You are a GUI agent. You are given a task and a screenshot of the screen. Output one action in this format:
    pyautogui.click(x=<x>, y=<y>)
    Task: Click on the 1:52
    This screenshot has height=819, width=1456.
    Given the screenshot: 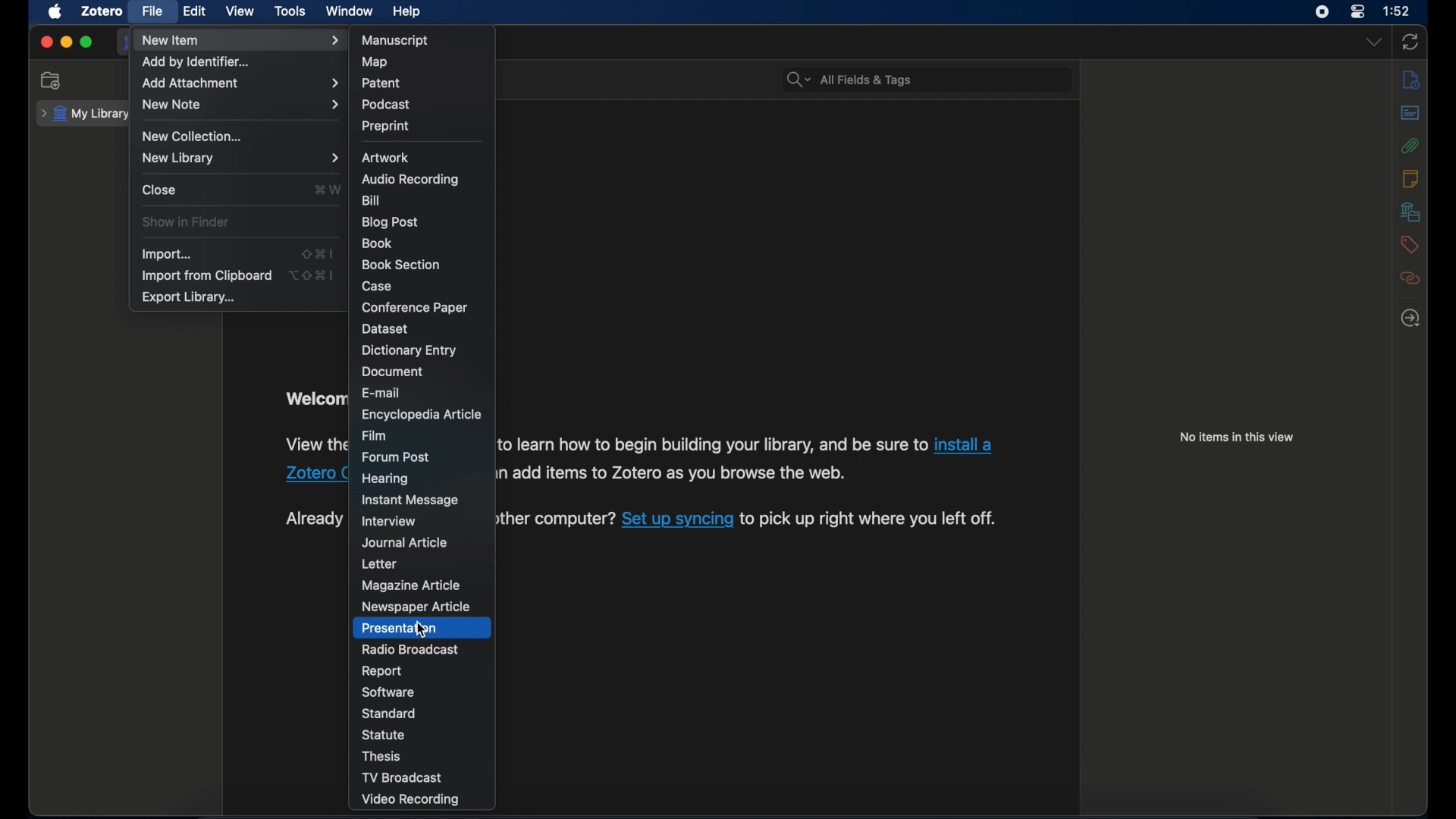 What is the action you would take?
    pyautogui.click(x=1398, y=11)
    